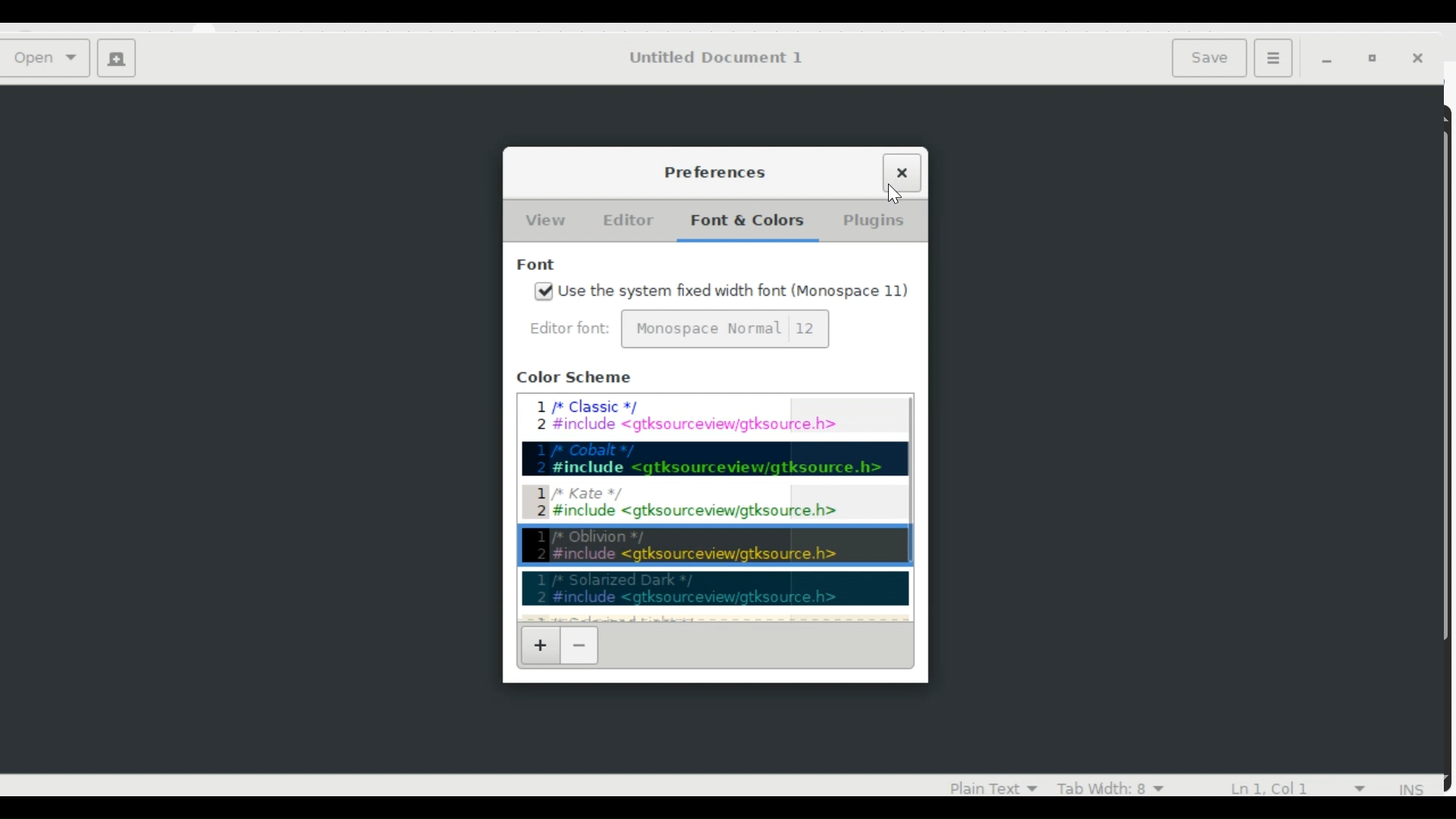  I want to click on scrollbar, so click(915, 507).